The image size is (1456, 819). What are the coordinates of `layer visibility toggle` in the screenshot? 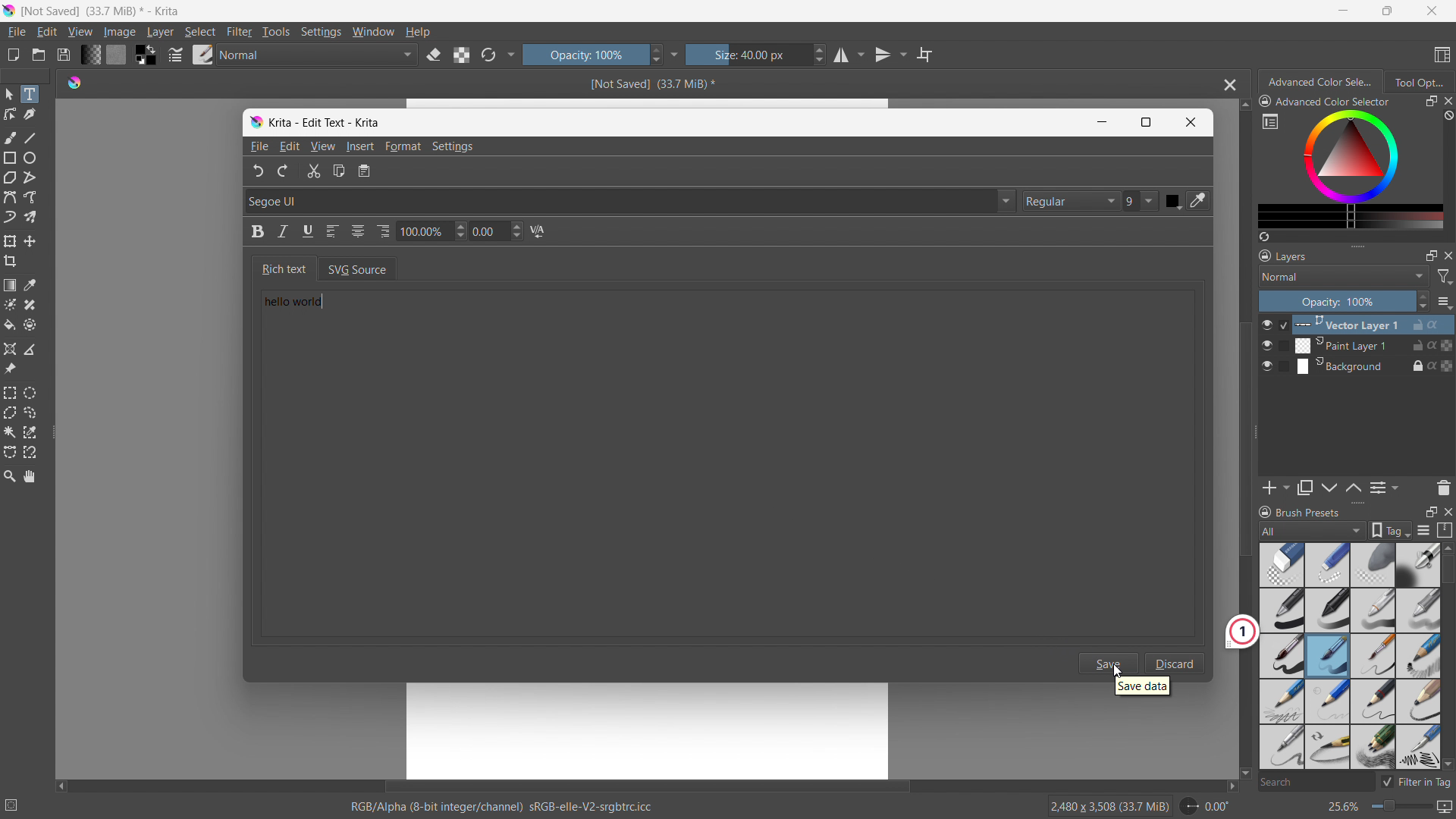 It's located at (1267, 345).